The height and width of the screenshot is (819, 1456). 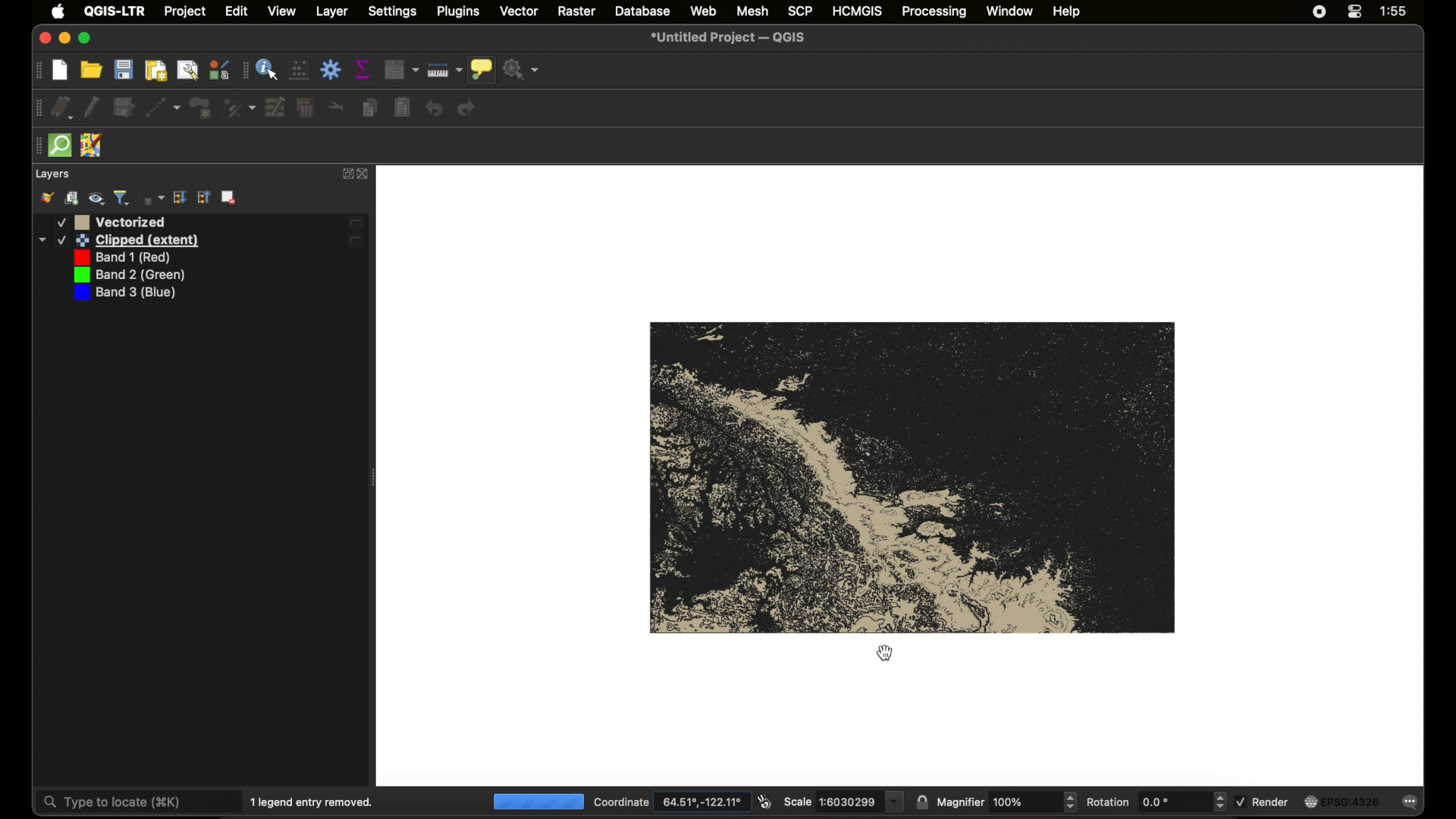 I want to click on edit, so click(x=237, y=11).